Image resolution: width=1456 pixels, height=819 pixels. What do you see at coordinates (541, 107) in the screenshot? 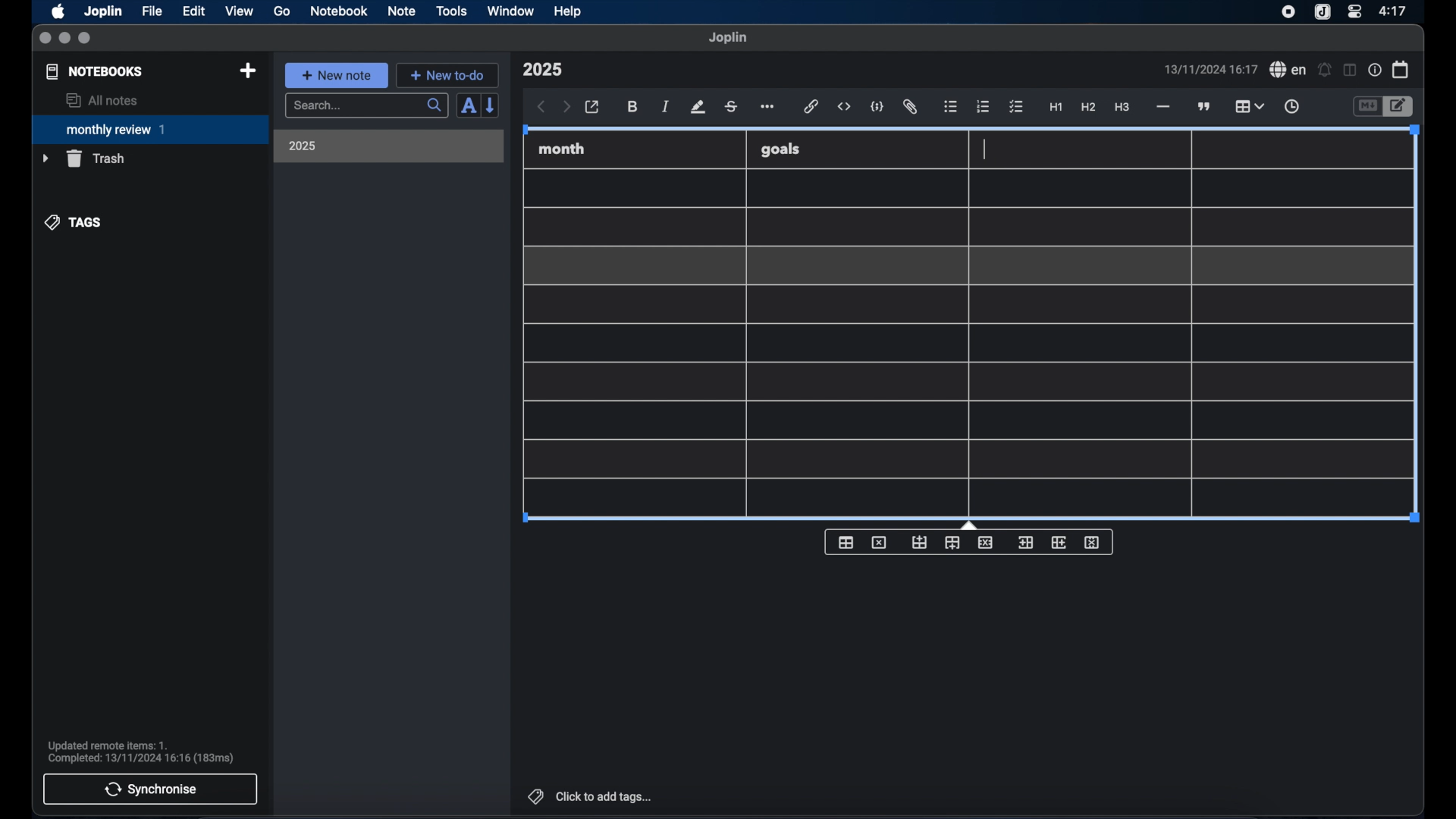
I see `back` at bounding box center [541, 107].